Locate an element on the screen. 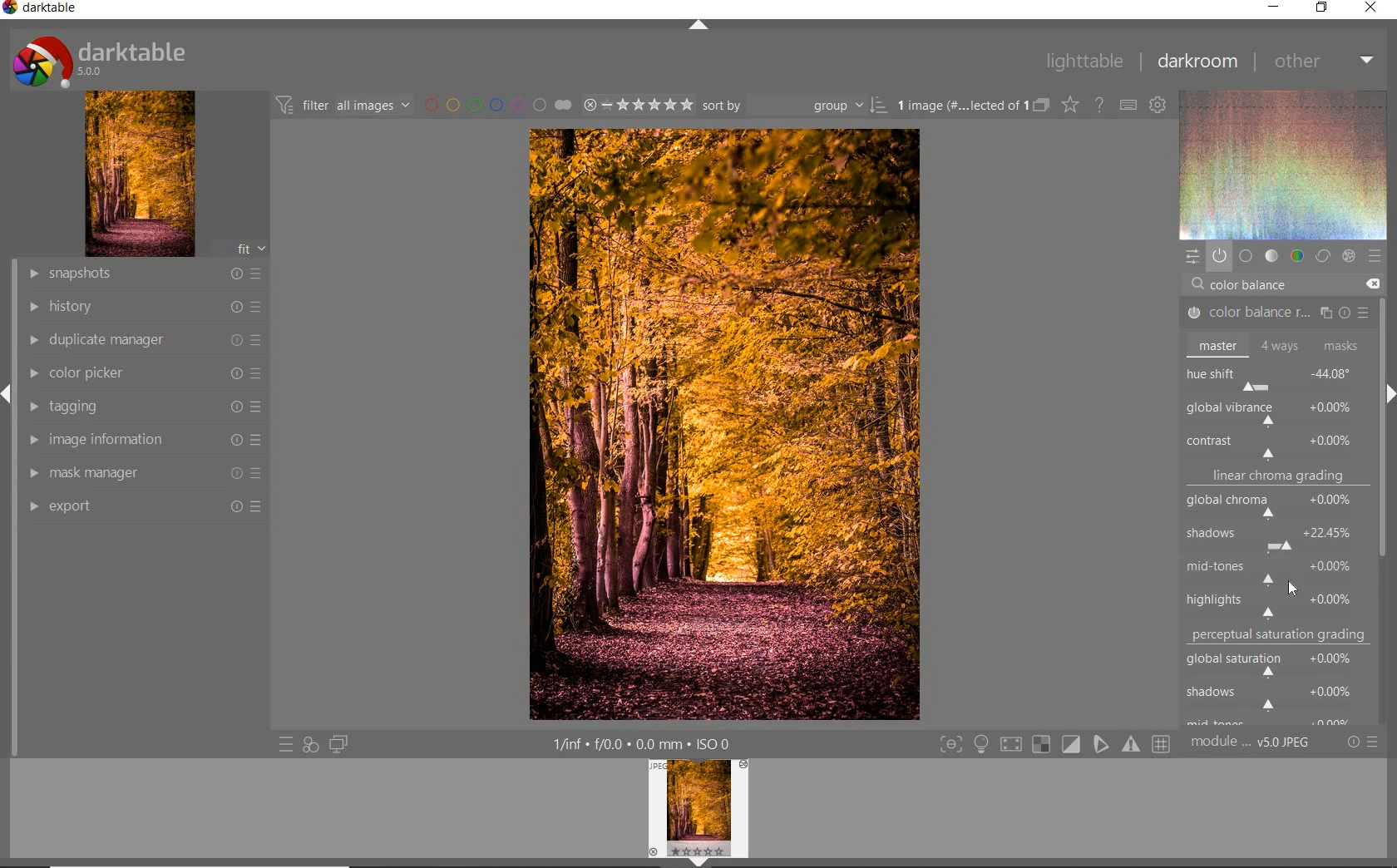 The height and width of the screenshot is (868, 1397). history is located at coordinates (144, 305).